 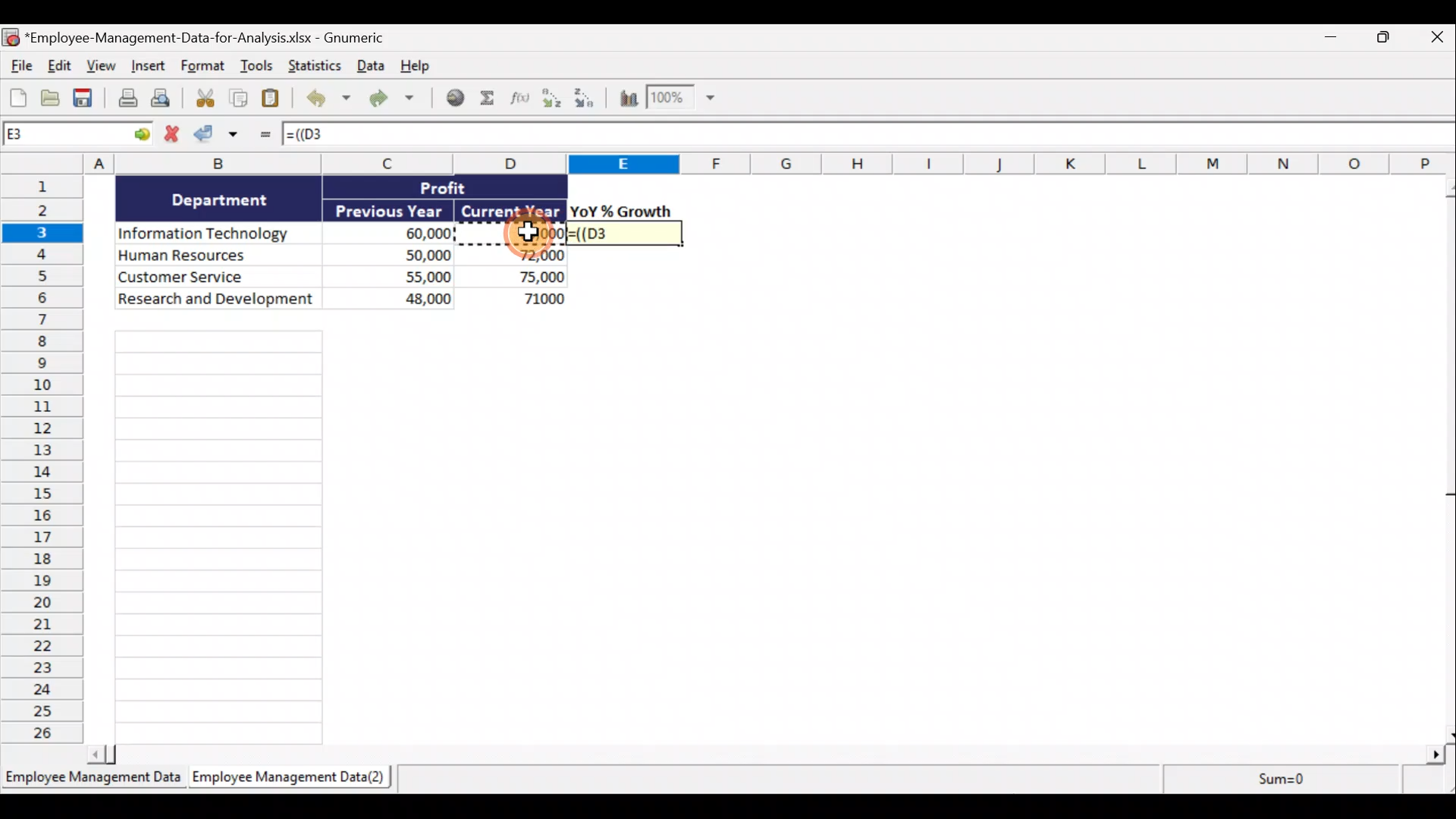 What do you see at coordinates (263, 137) in the screenshot?
I see `Enter formula` at bounding box center [263, 137].